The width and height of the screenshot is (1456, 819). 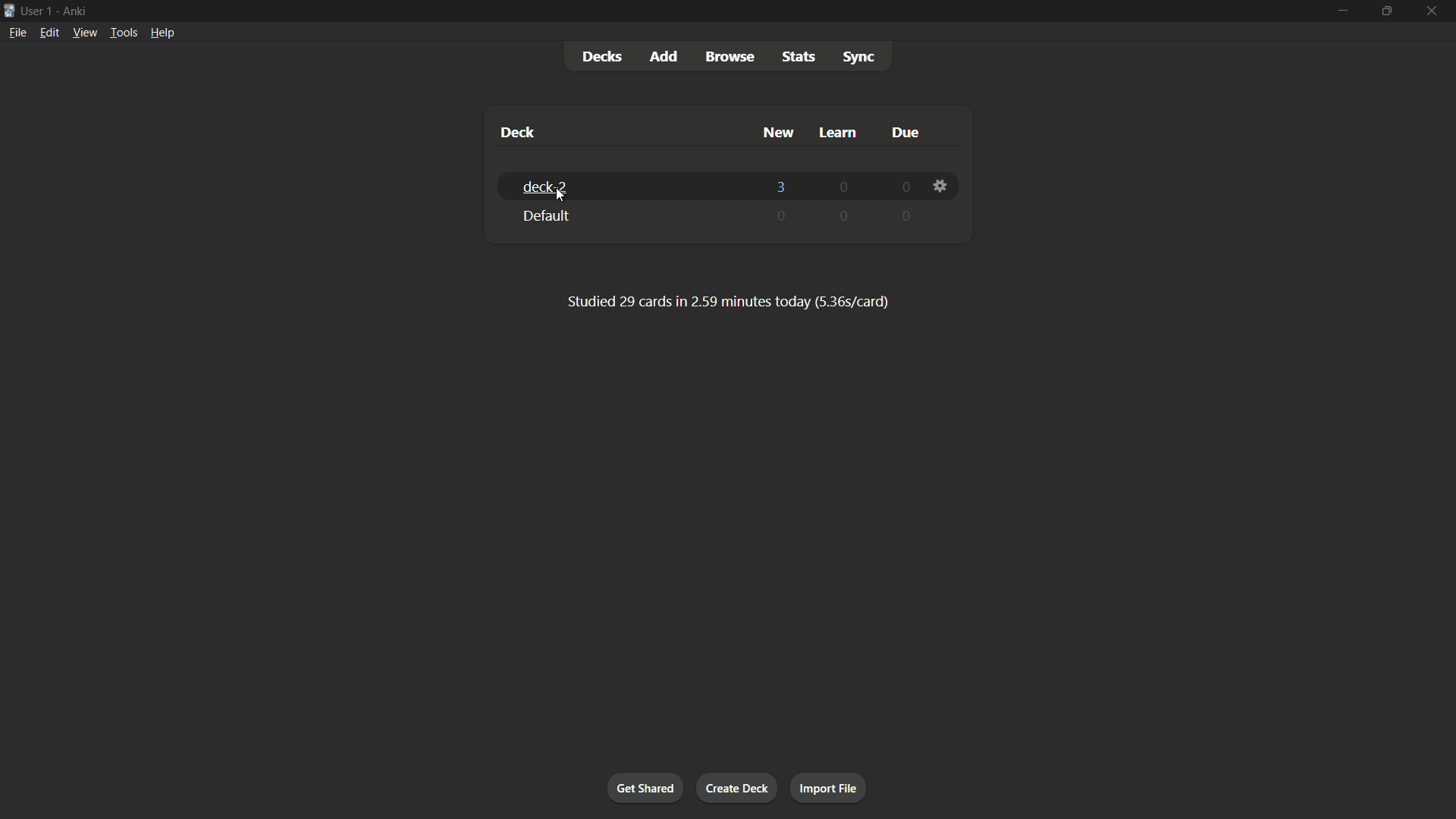 I want to click on edit menu, so click(x=49, y=32).